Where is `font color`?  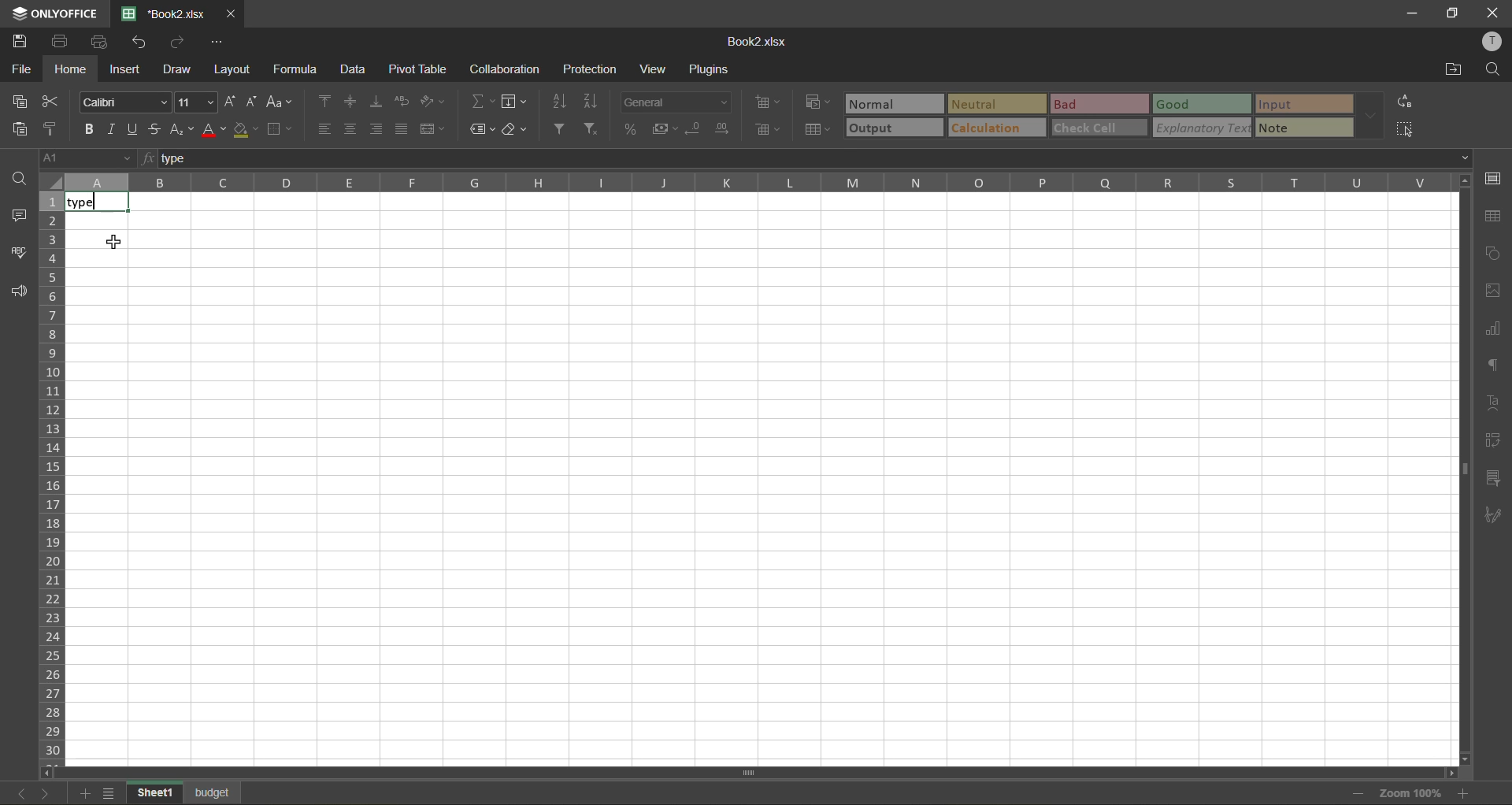
font color is located at coordinates (217, 132).